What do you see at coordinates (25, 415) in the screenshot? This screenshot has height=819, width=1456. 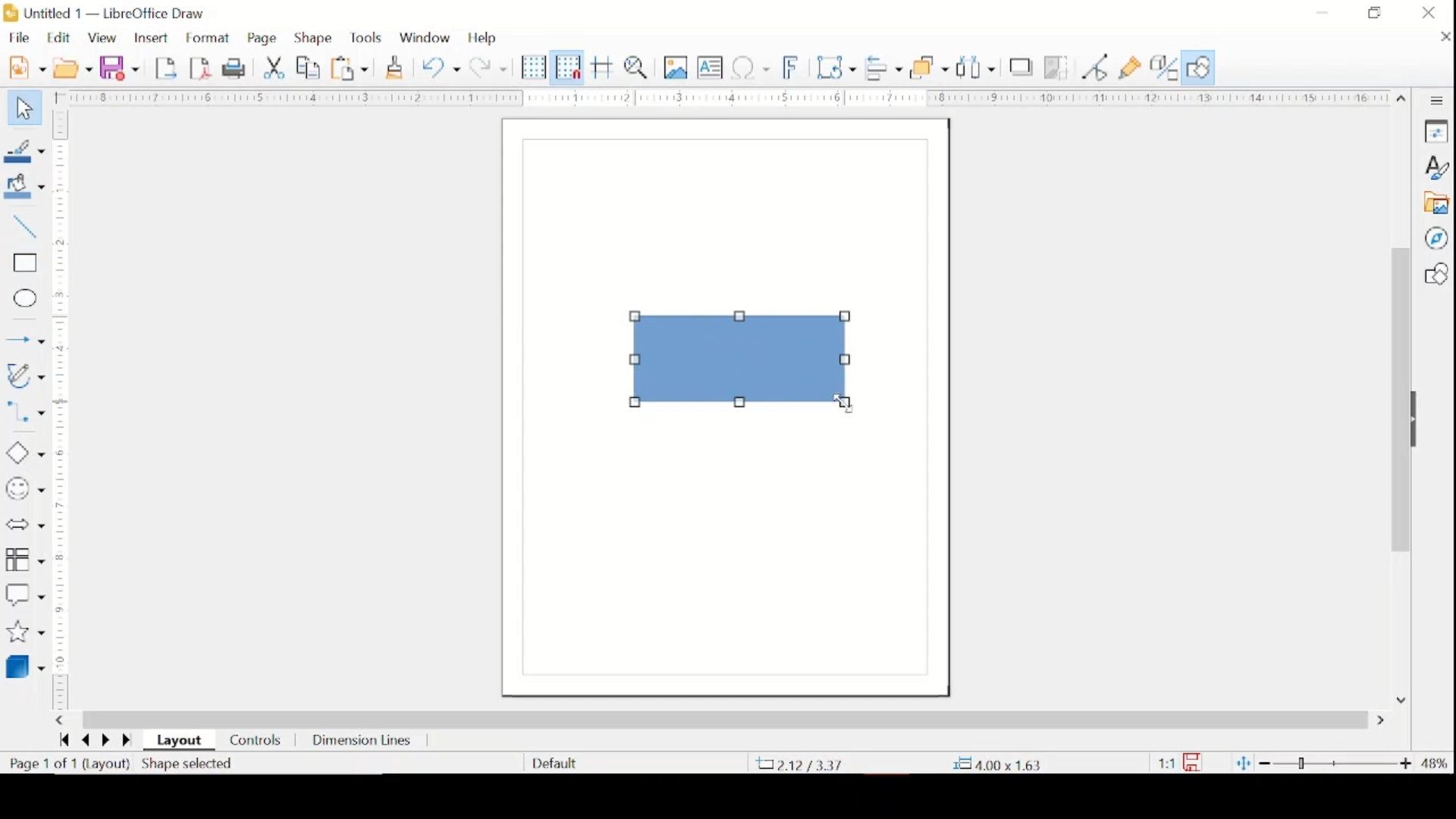 I see `connectors` at bounding box center [25, 415].